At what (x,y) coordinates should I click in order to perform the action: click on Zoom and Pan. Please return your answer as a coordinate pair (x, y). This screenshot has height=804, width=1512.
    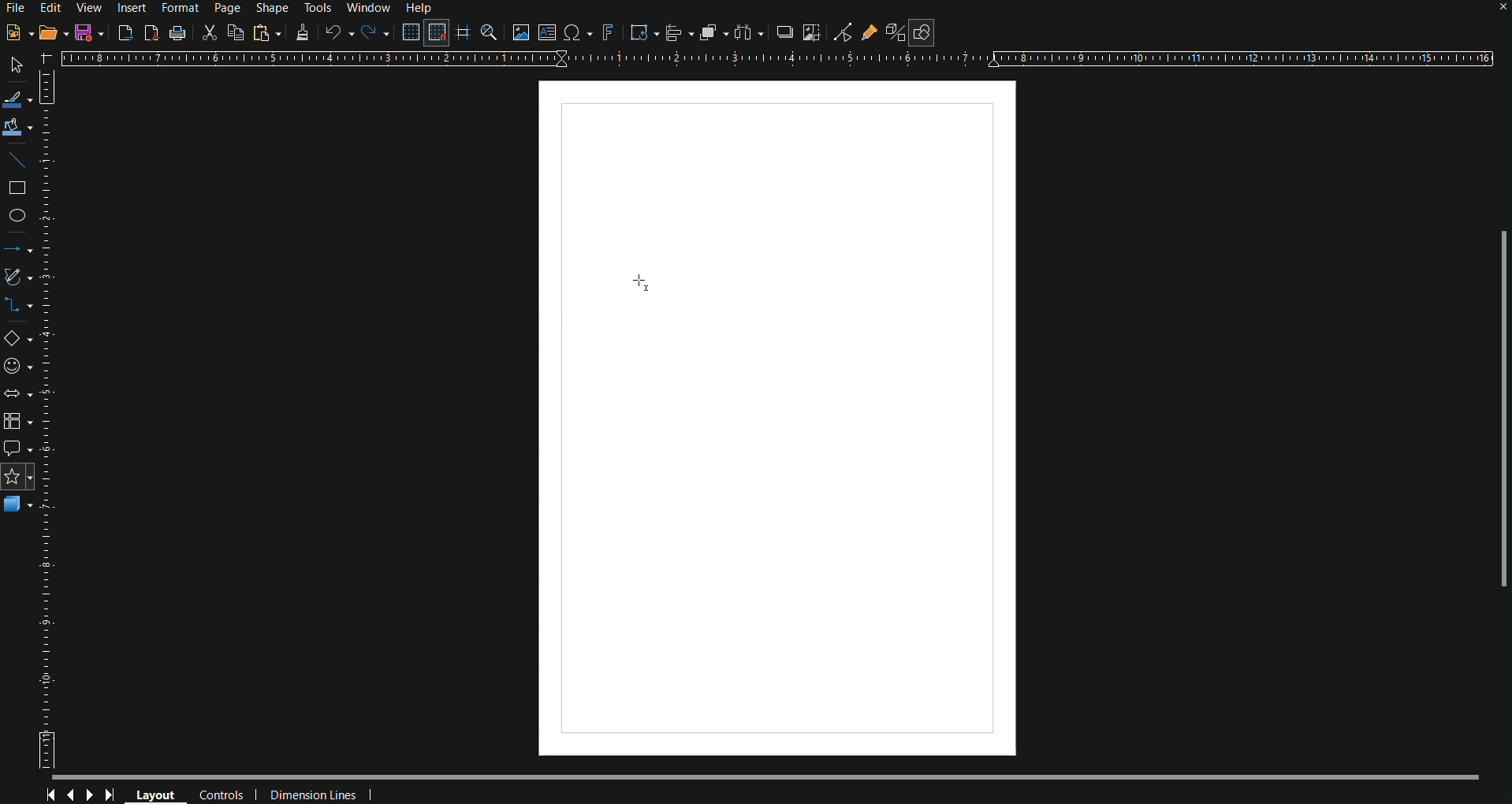
    Looking at the image, I should click on (491, 34).